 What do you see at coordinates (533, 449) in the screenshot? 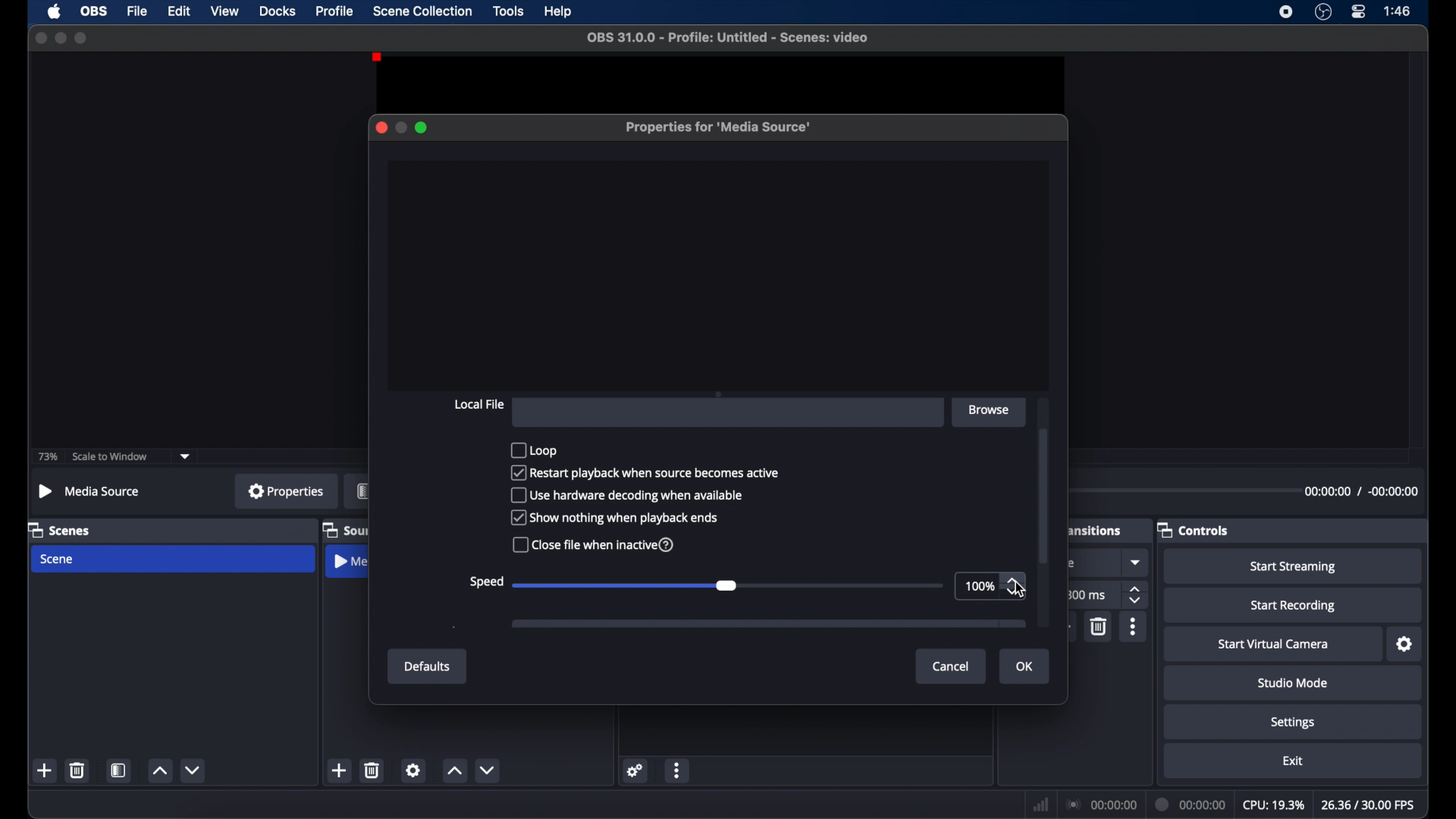
I see `loop` at bounding box center [533, 449].